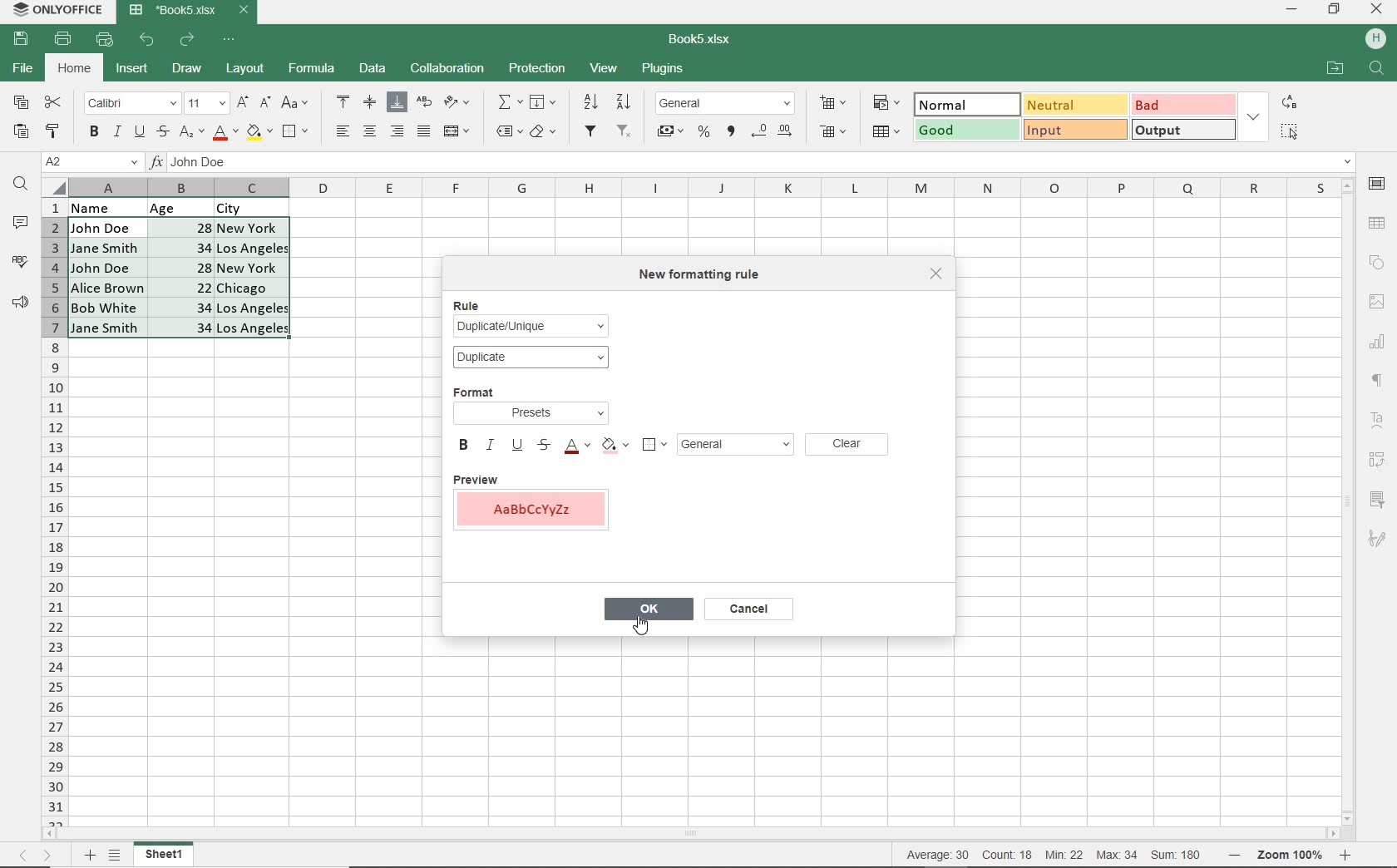  Describe the element at coordinates (165, 855) in the screenshot. I see `sheet 1` at that location.